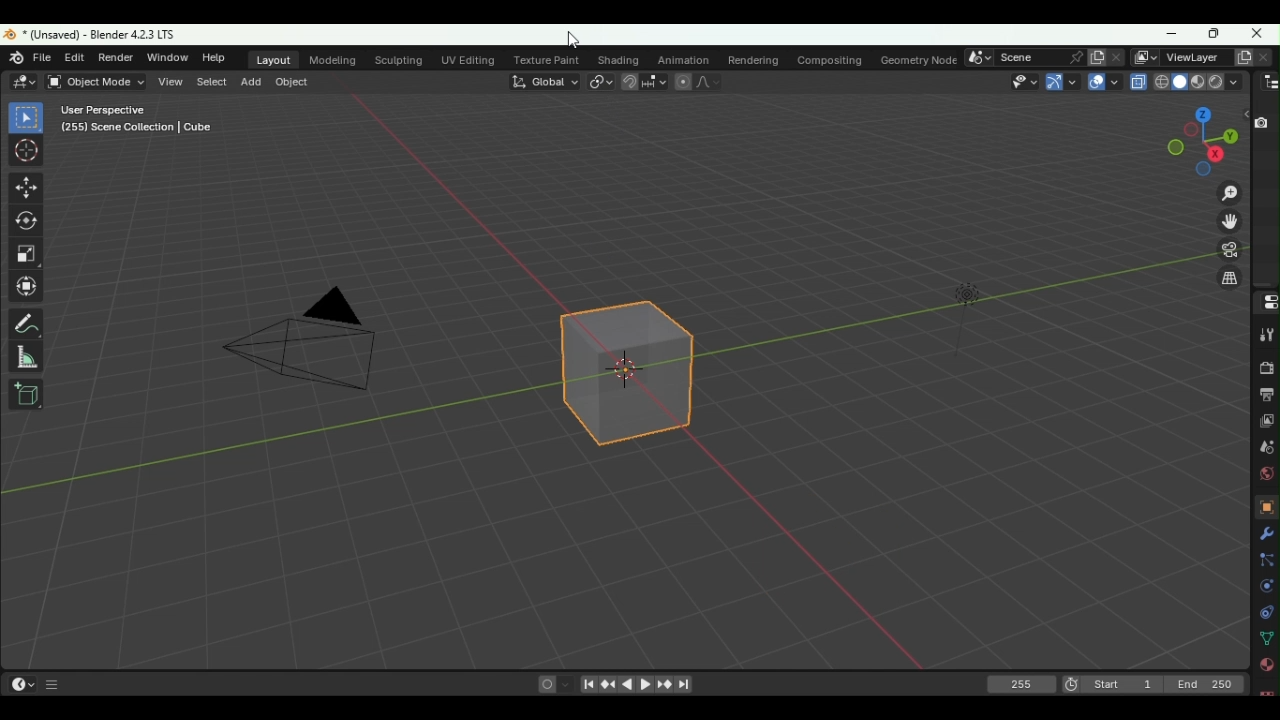  What do you see at coordinates (1145, 56) in the screenshot?
I see `The active workspace view layer showing in the window` at bounding box center [1145, 56].